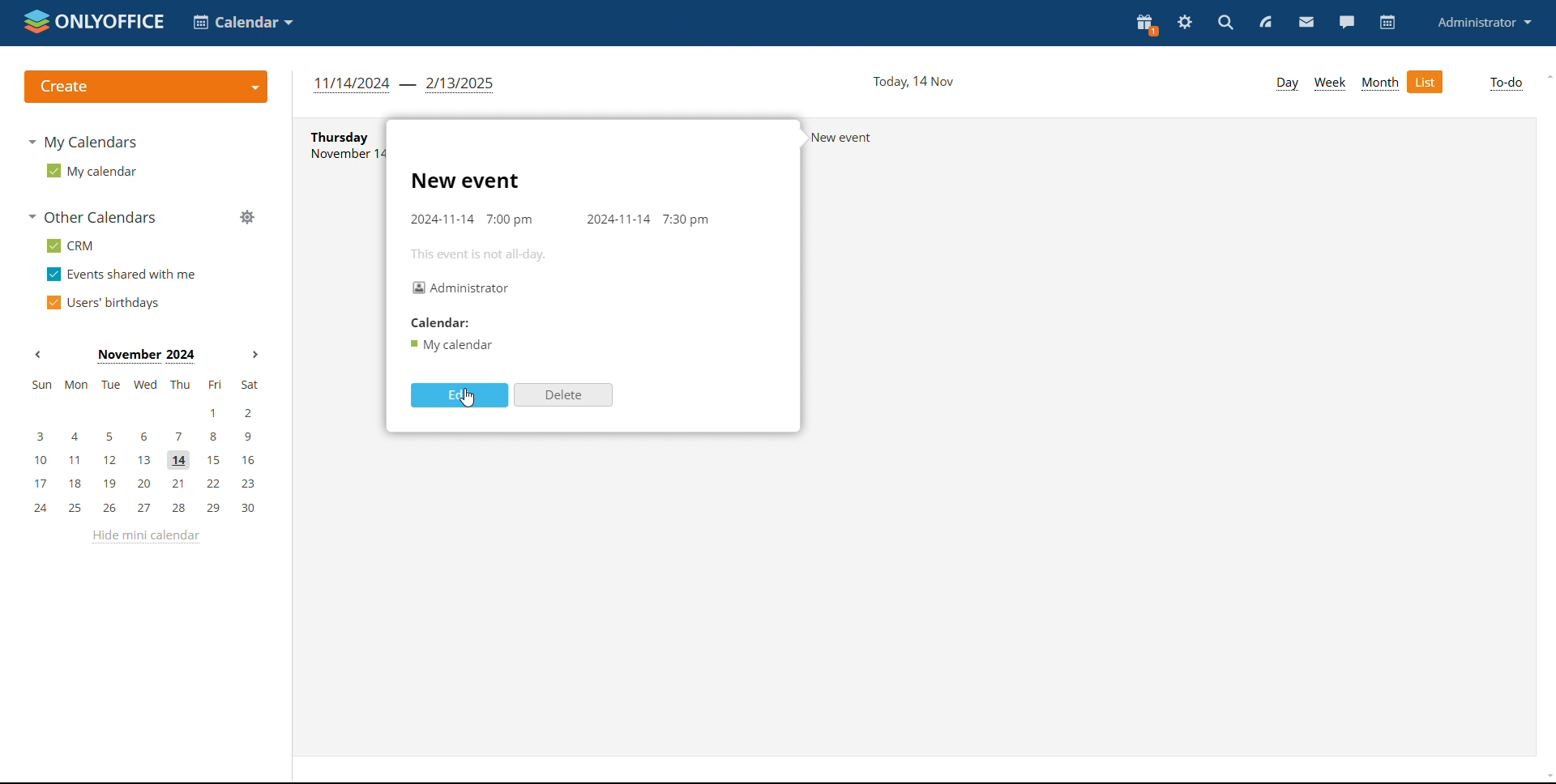 Image resolution: width=1556 pixels, height=784 pixels. Describe the element at coordinates (144, 86) in the screenshot. I see `logo` at that location.